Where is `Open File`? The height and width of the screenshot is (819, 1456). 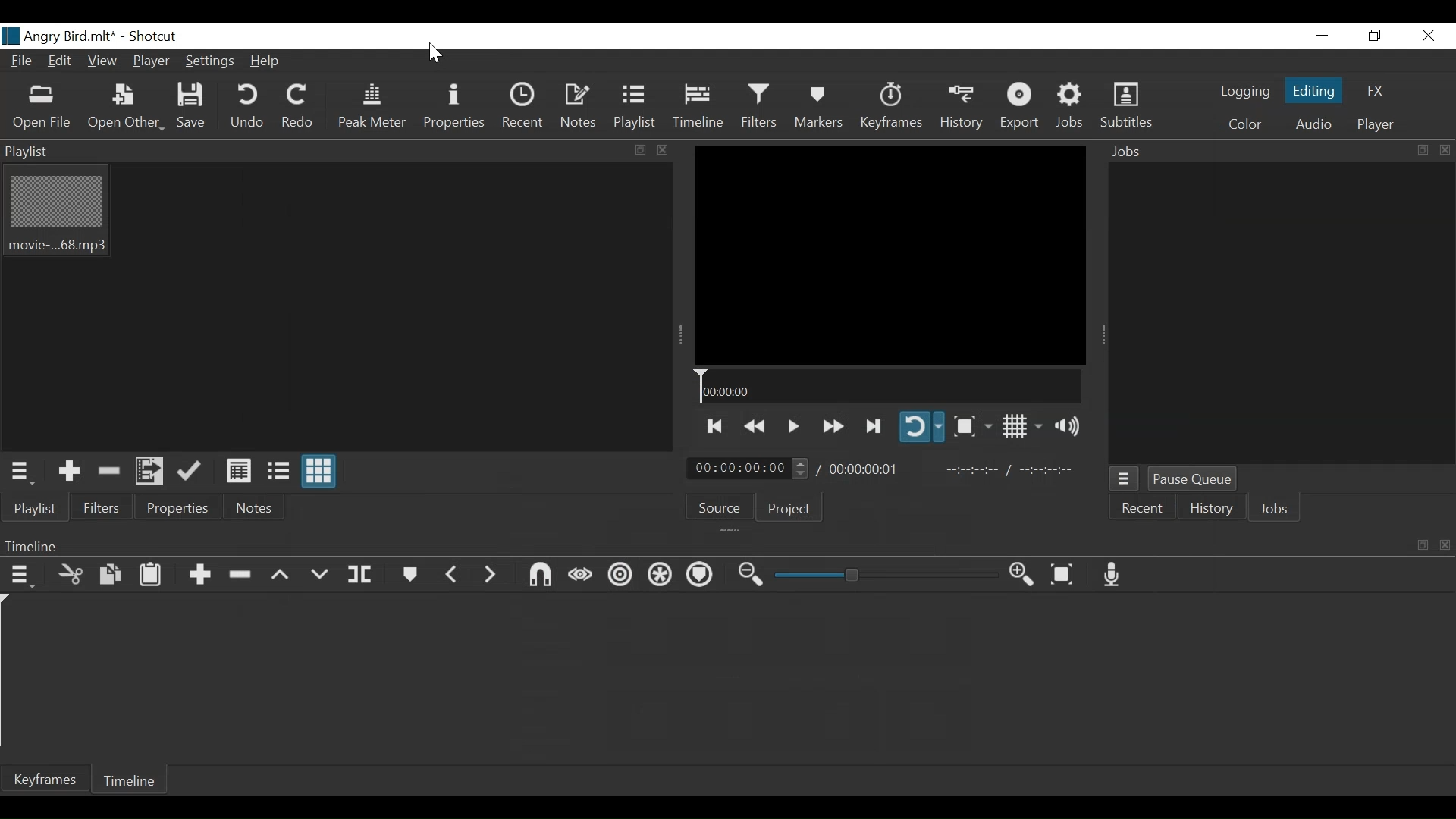 Open File is located at coordinates (42, 107).